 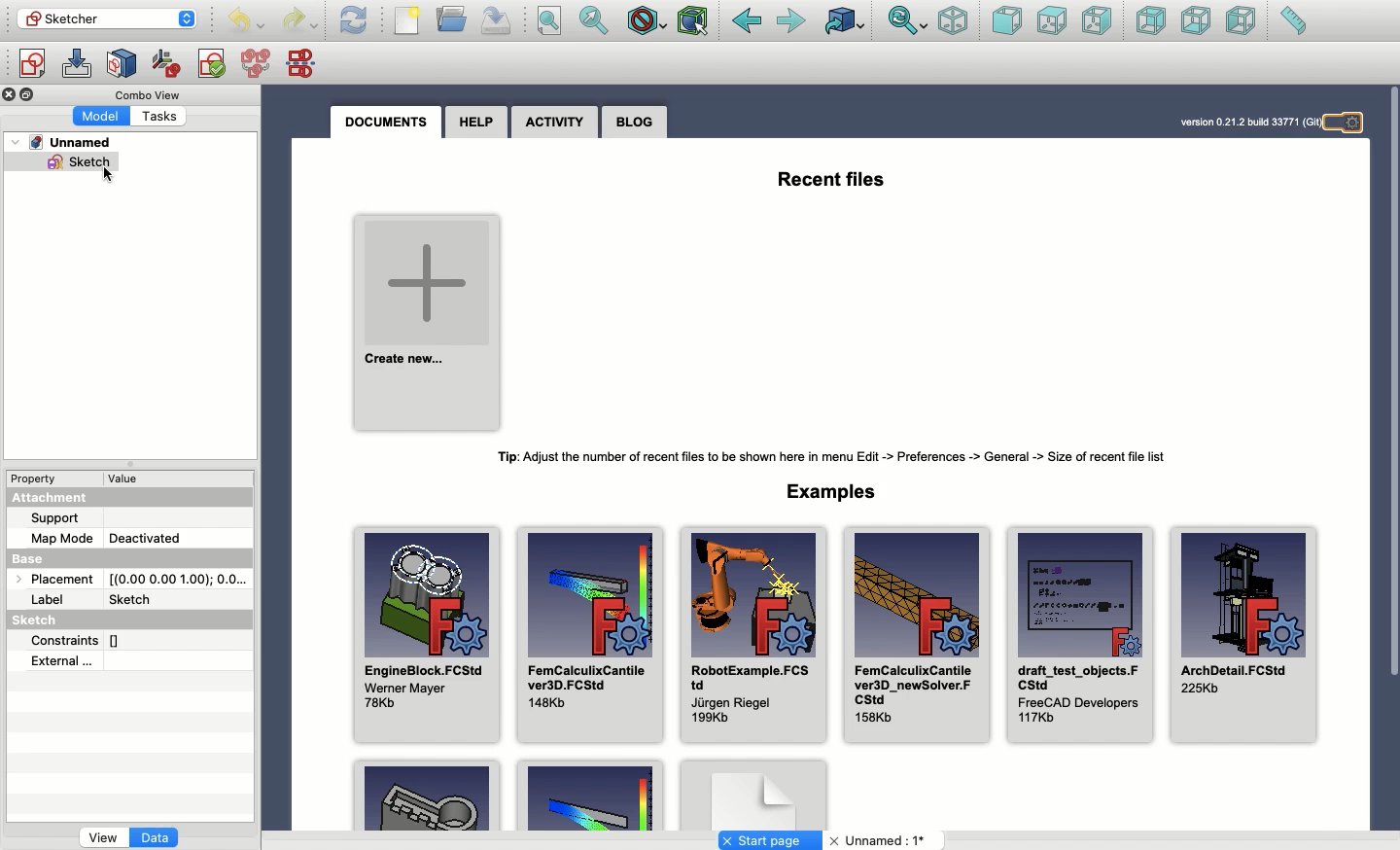 I want to click on Key Object, so click(x=427, y=794).